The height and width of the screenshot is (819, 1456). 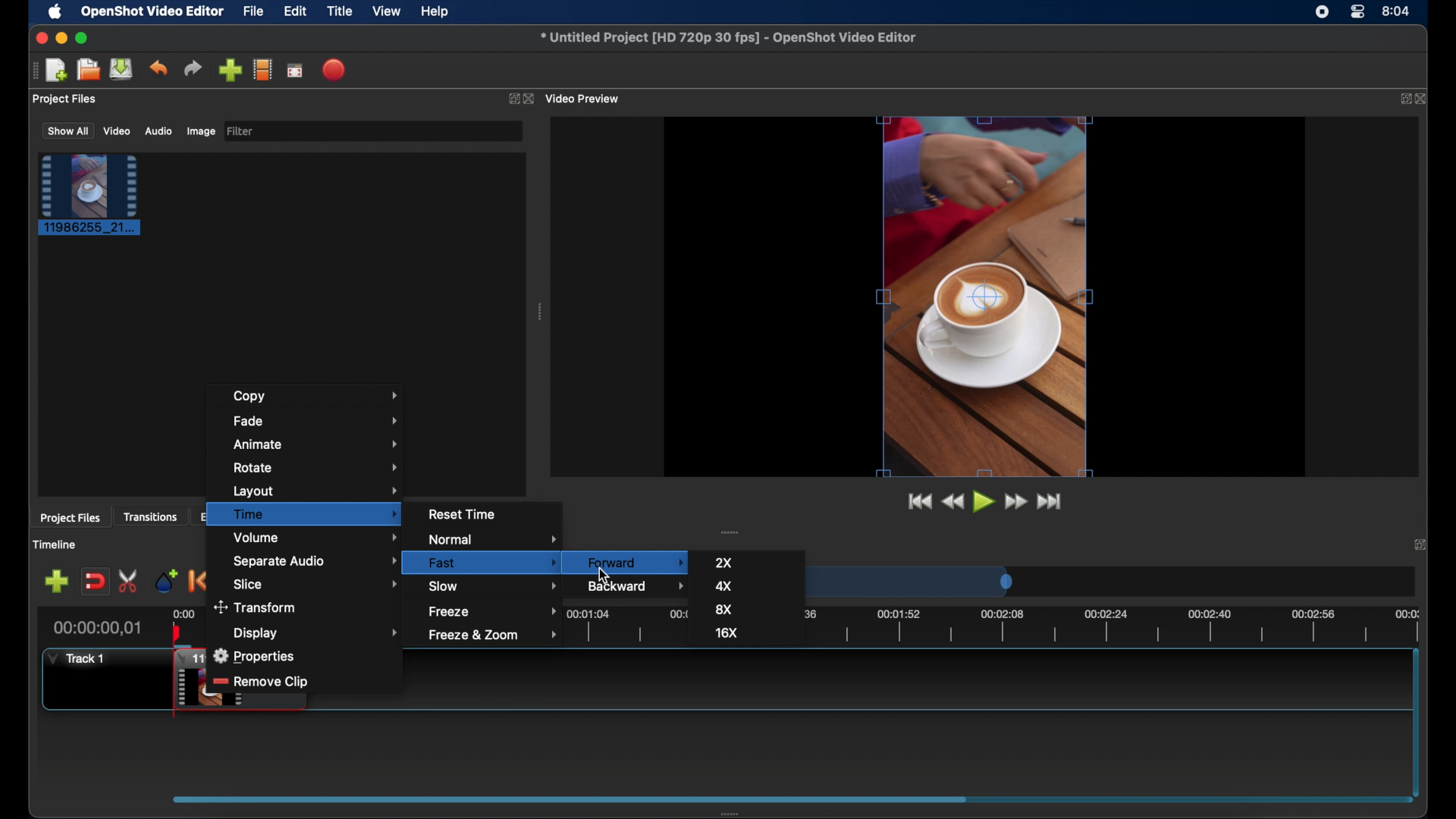 What do you see at coordinates (318, 560) in the screenshot?
I see `separate audio menu` at bounding box center [318, 560].